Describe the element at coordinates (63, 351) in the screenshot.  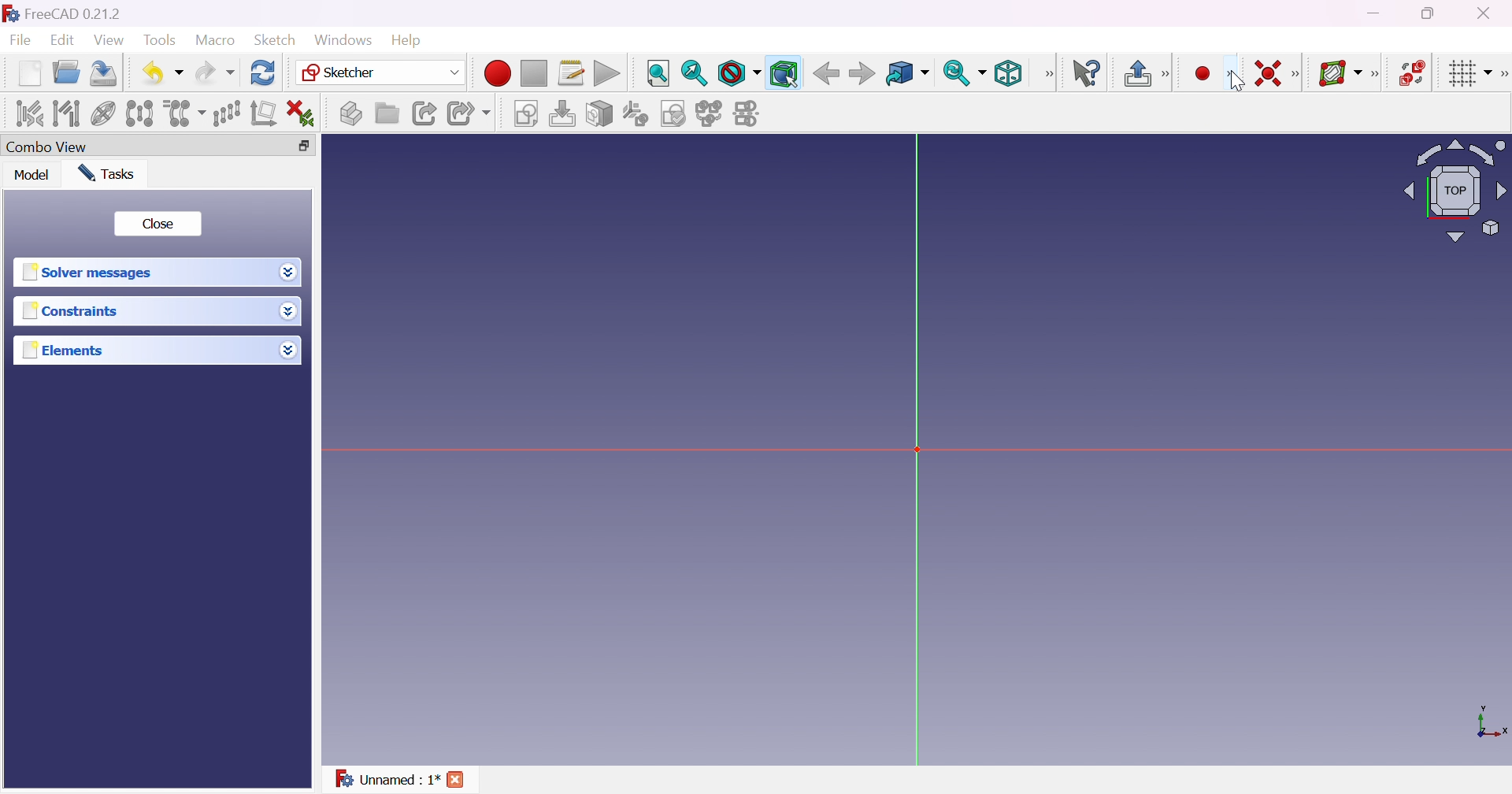
I see `Elements` at that location.